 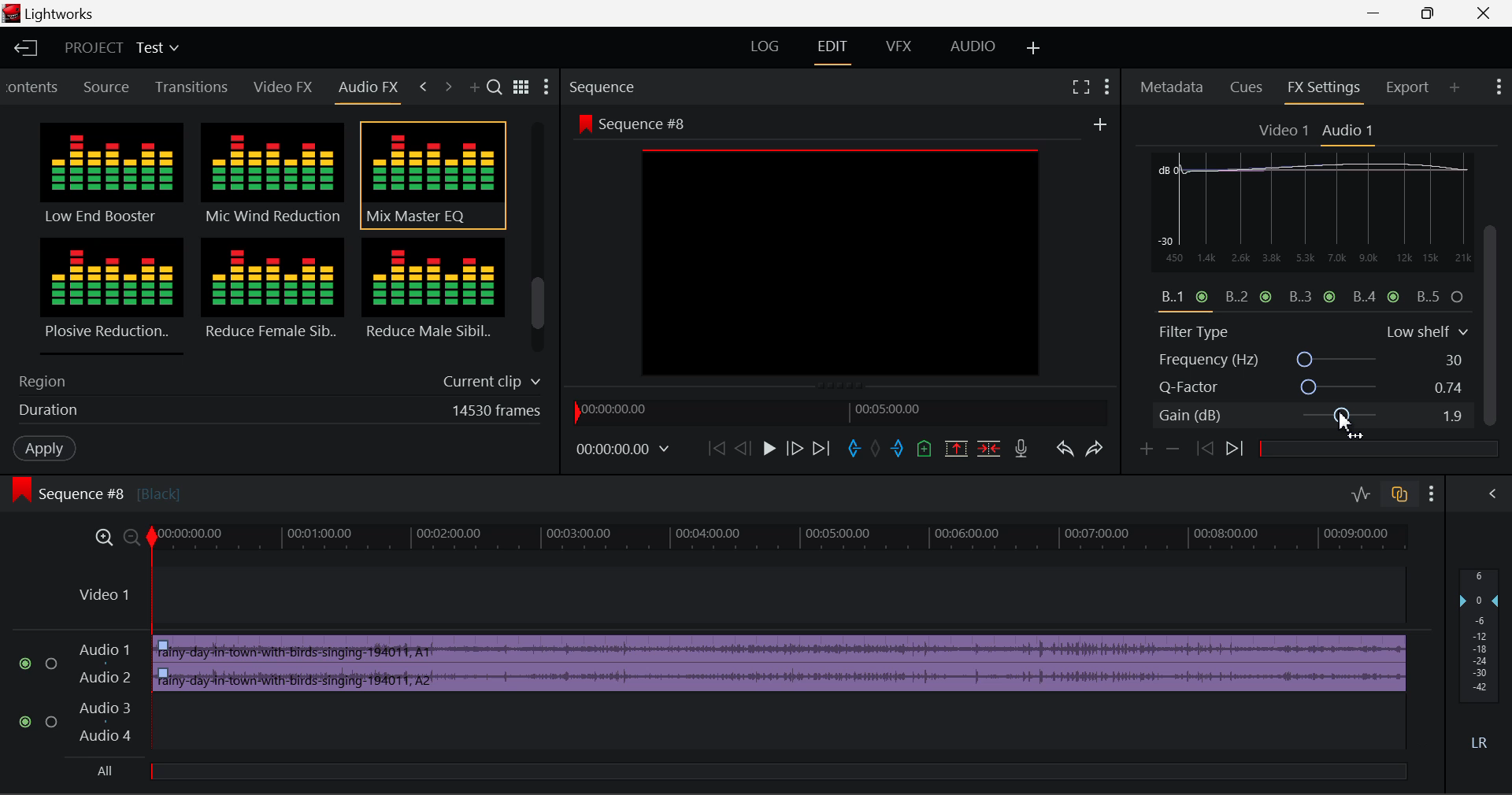 What do you see at coordinates (273, 296) in the screenshot?
I see `Reduce Female Sibilance` at bounding box center [273, 296].